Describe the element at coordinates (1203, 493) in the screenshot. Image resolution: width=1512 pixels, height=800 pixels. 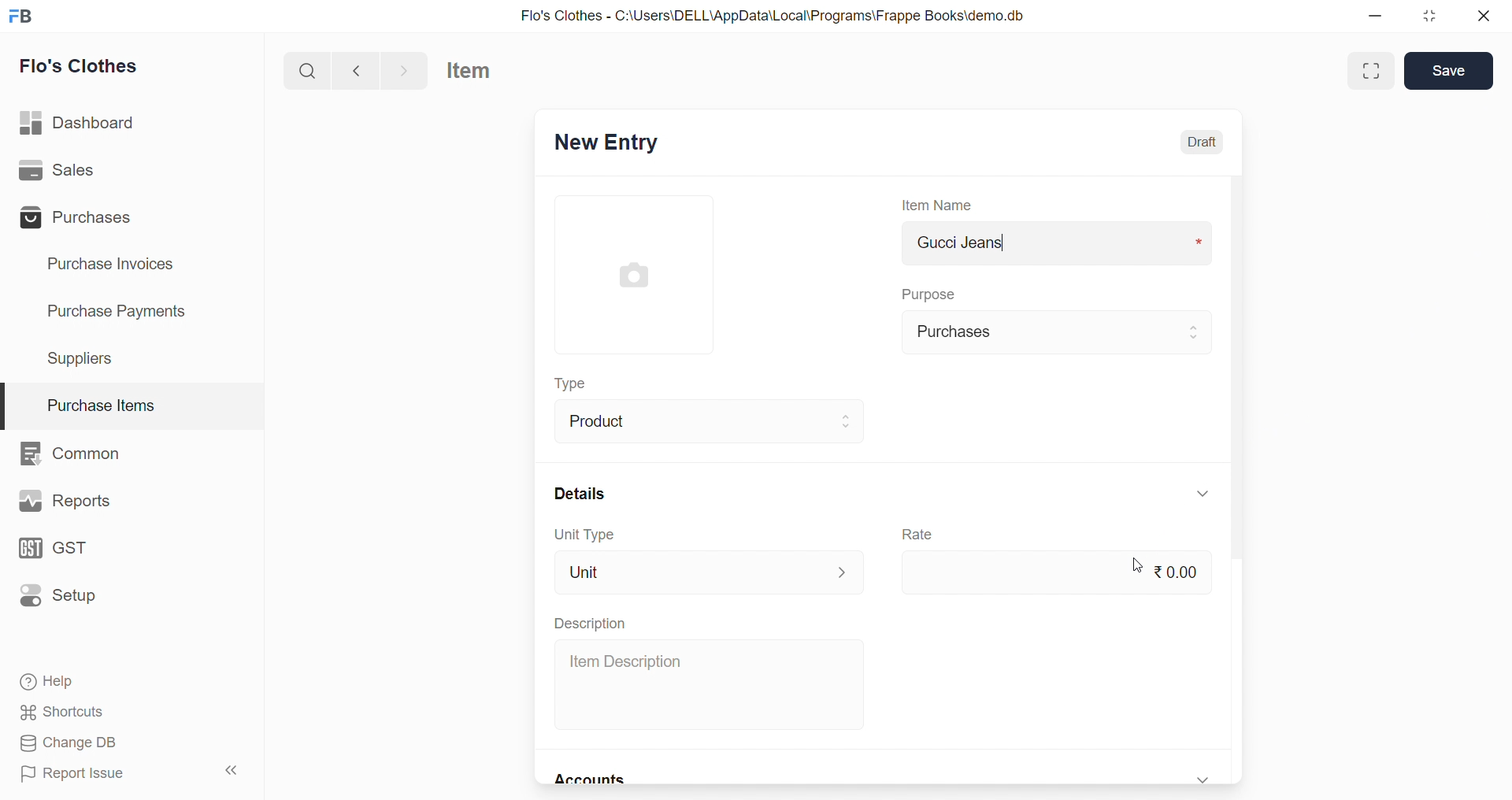
I see `expand/collapse` at that location.